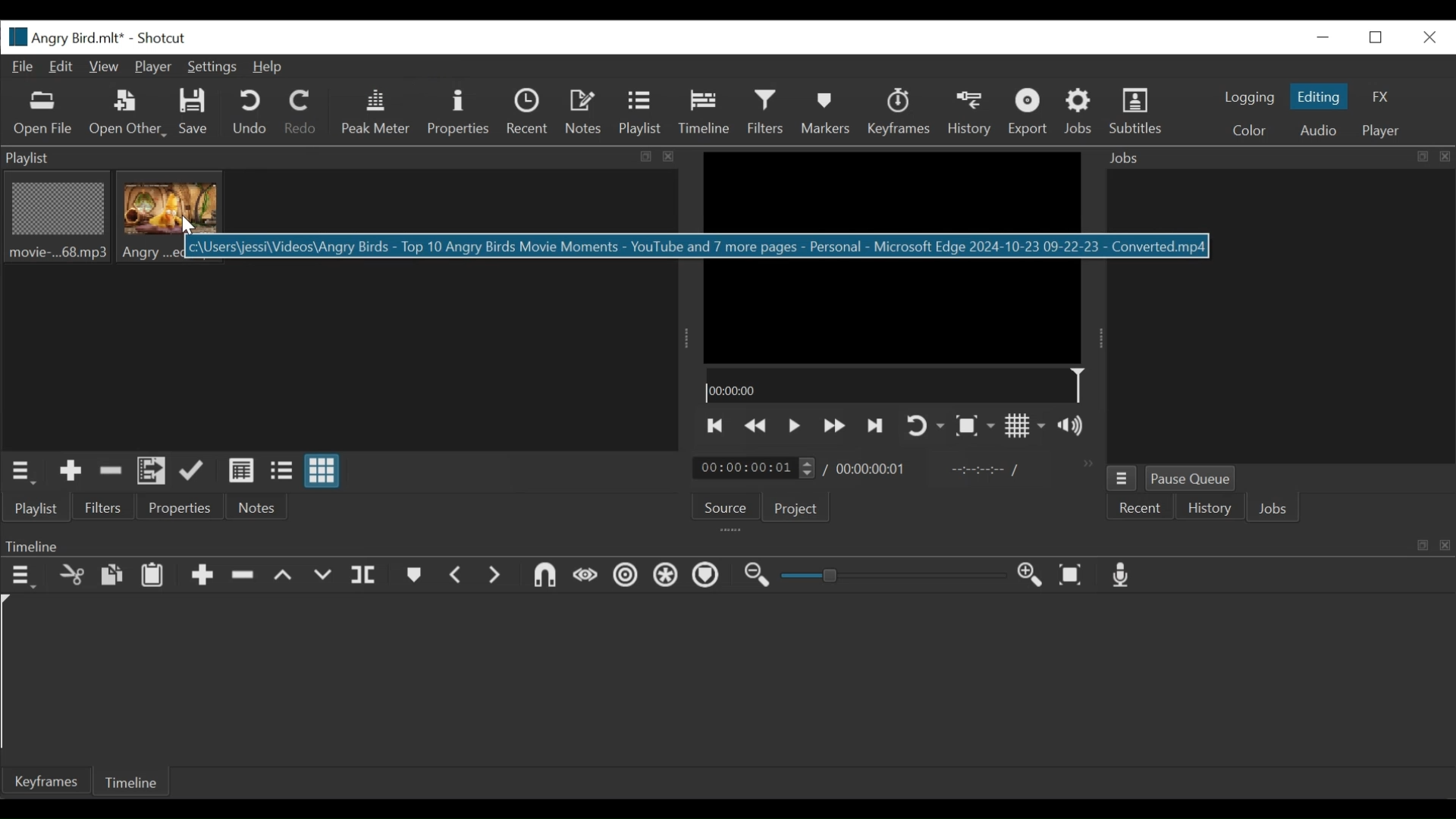 The width and height of the screenshot is (1456, 819). I want to click on Recent, so click(1141, 507).